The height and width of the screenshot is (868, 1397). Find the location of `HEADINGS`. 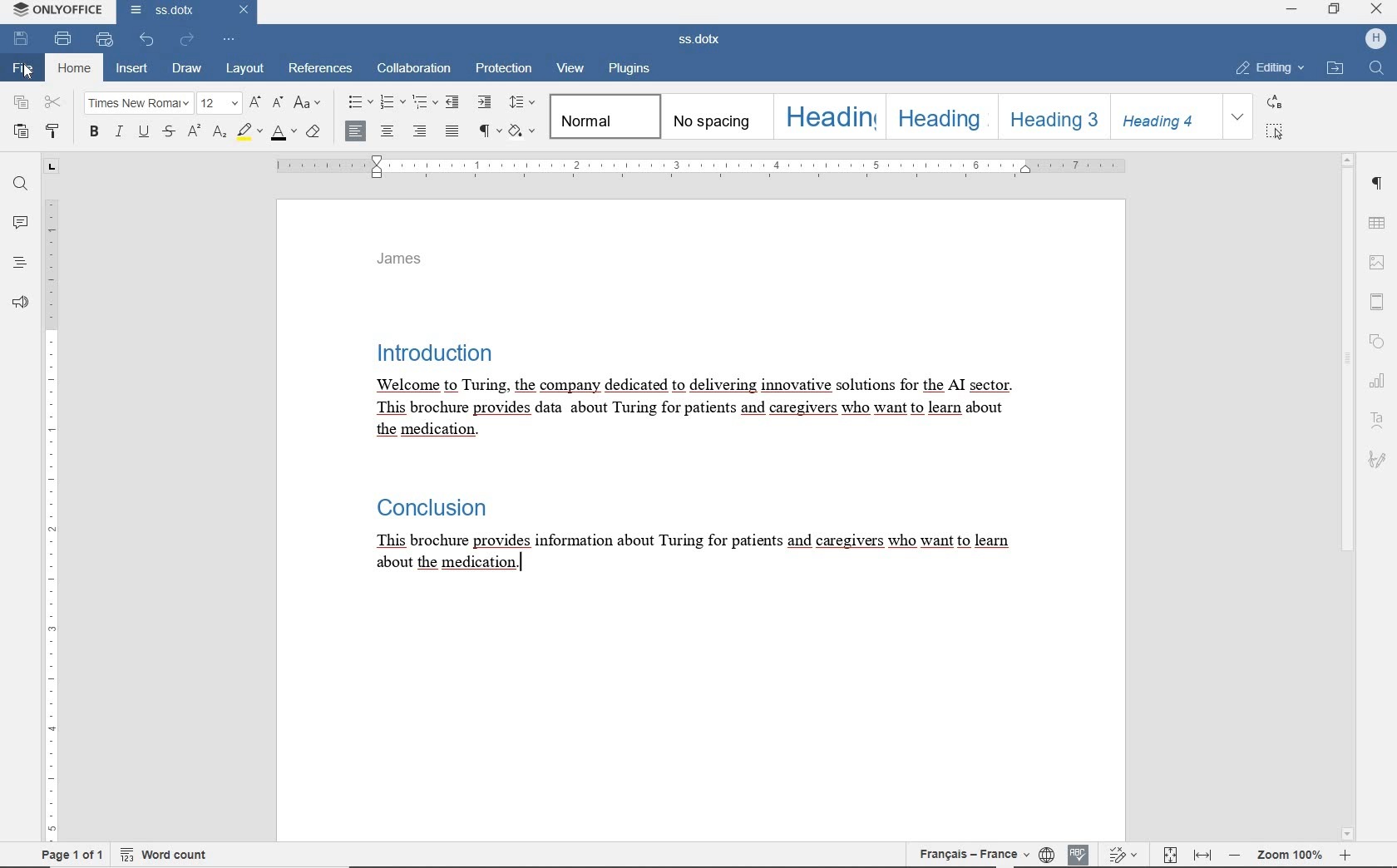

HEADINGS is located at coordinates (19, 264).